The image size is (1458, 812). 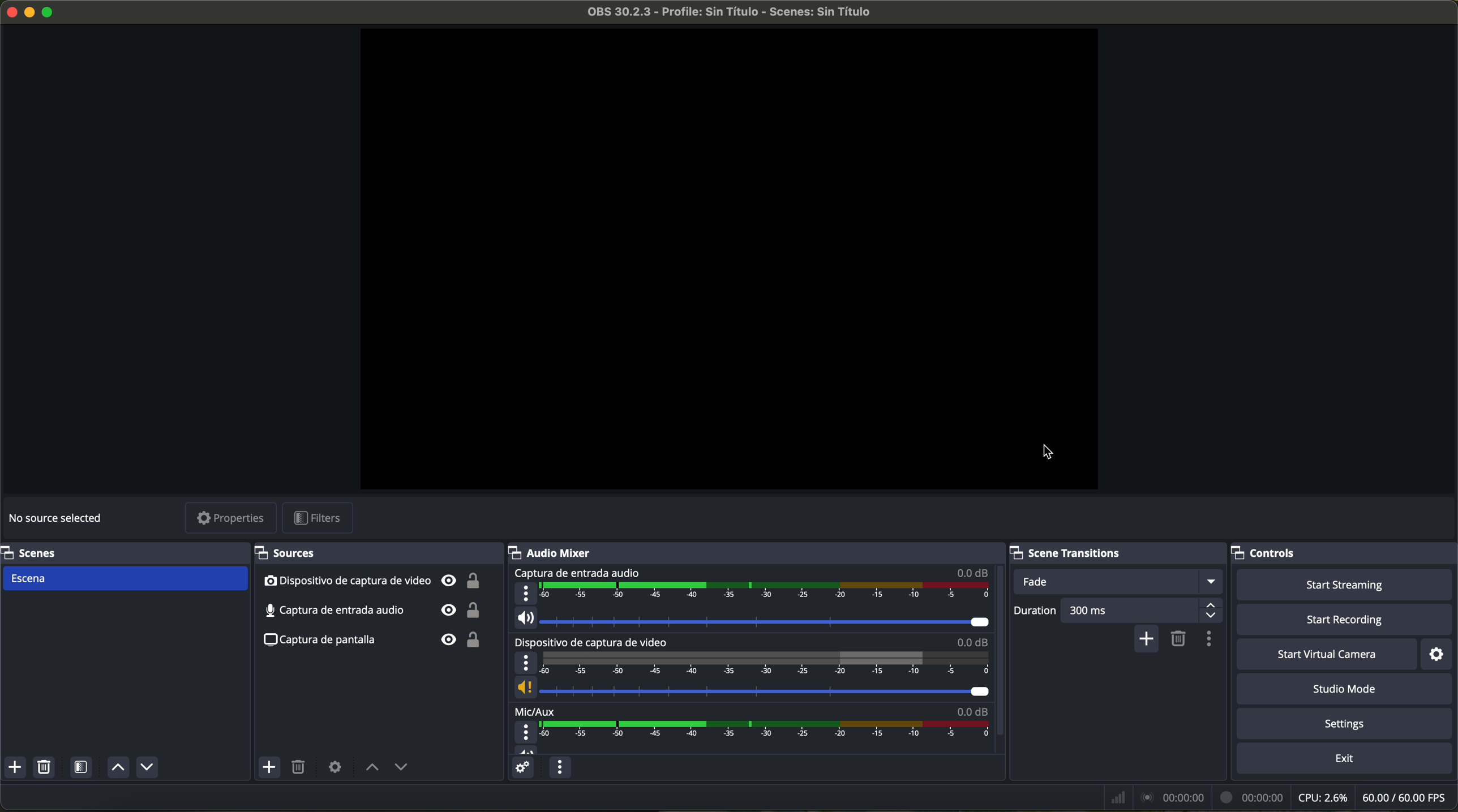 What do you see at coordinates (46, 769) in the screenshot?
I see `remove selected scene` at bounding box center [46, 769].